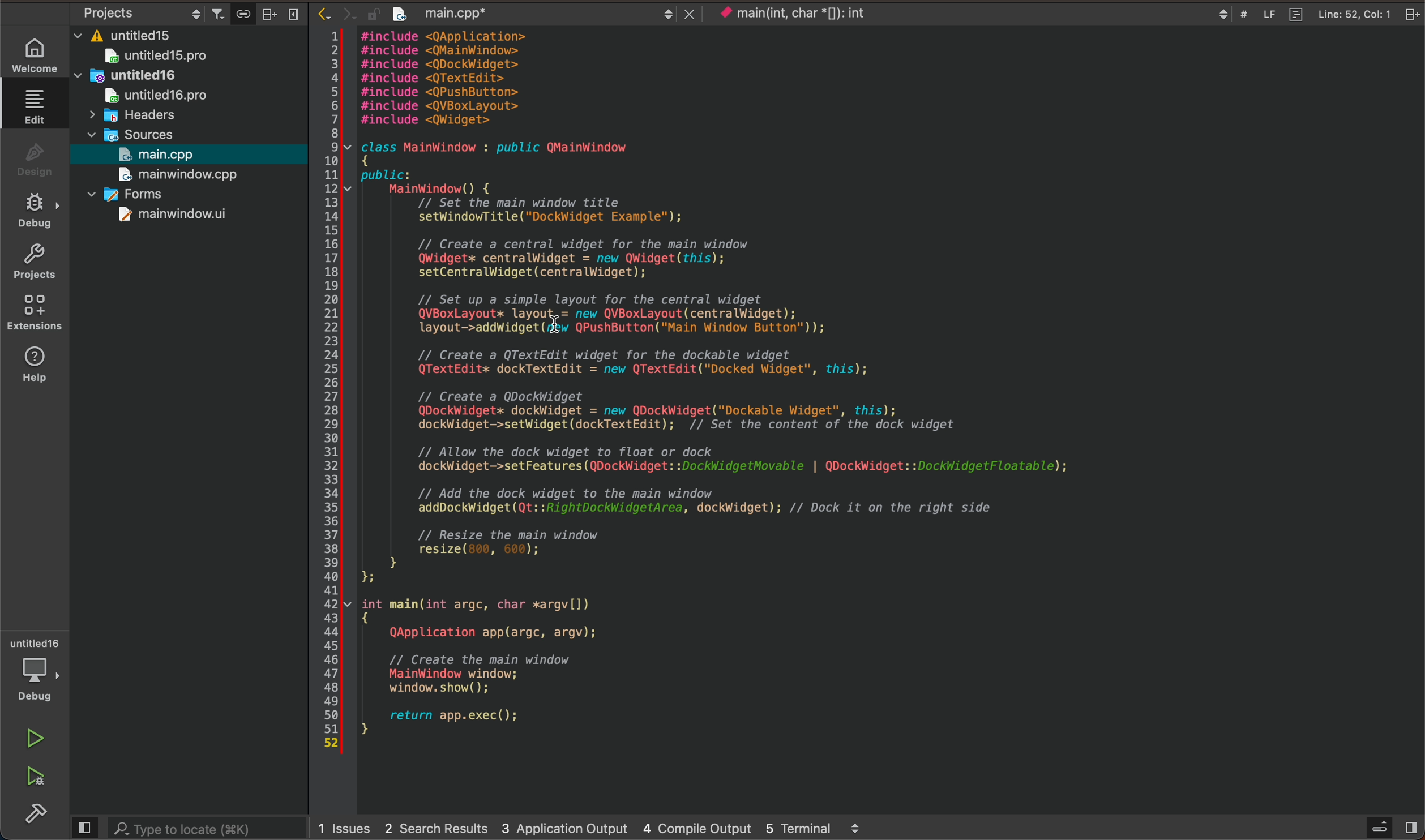  Describe the element at coordinates (529, 15) in the screenshot. I see `file tab` at that location.